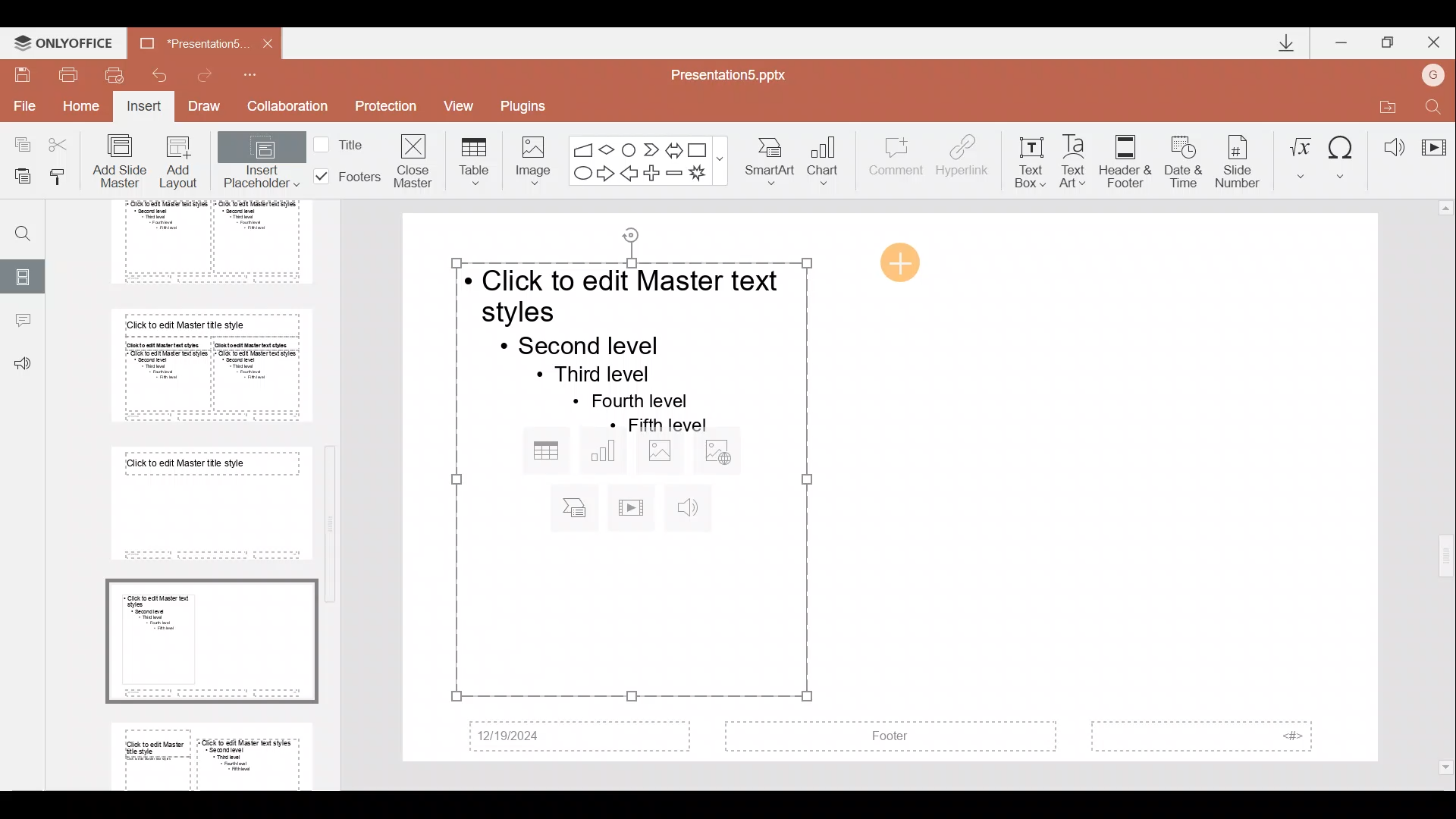  Describe the element at coordinates (582, 147) in the screenshot. I see `Flowchart - manual input` at that location.